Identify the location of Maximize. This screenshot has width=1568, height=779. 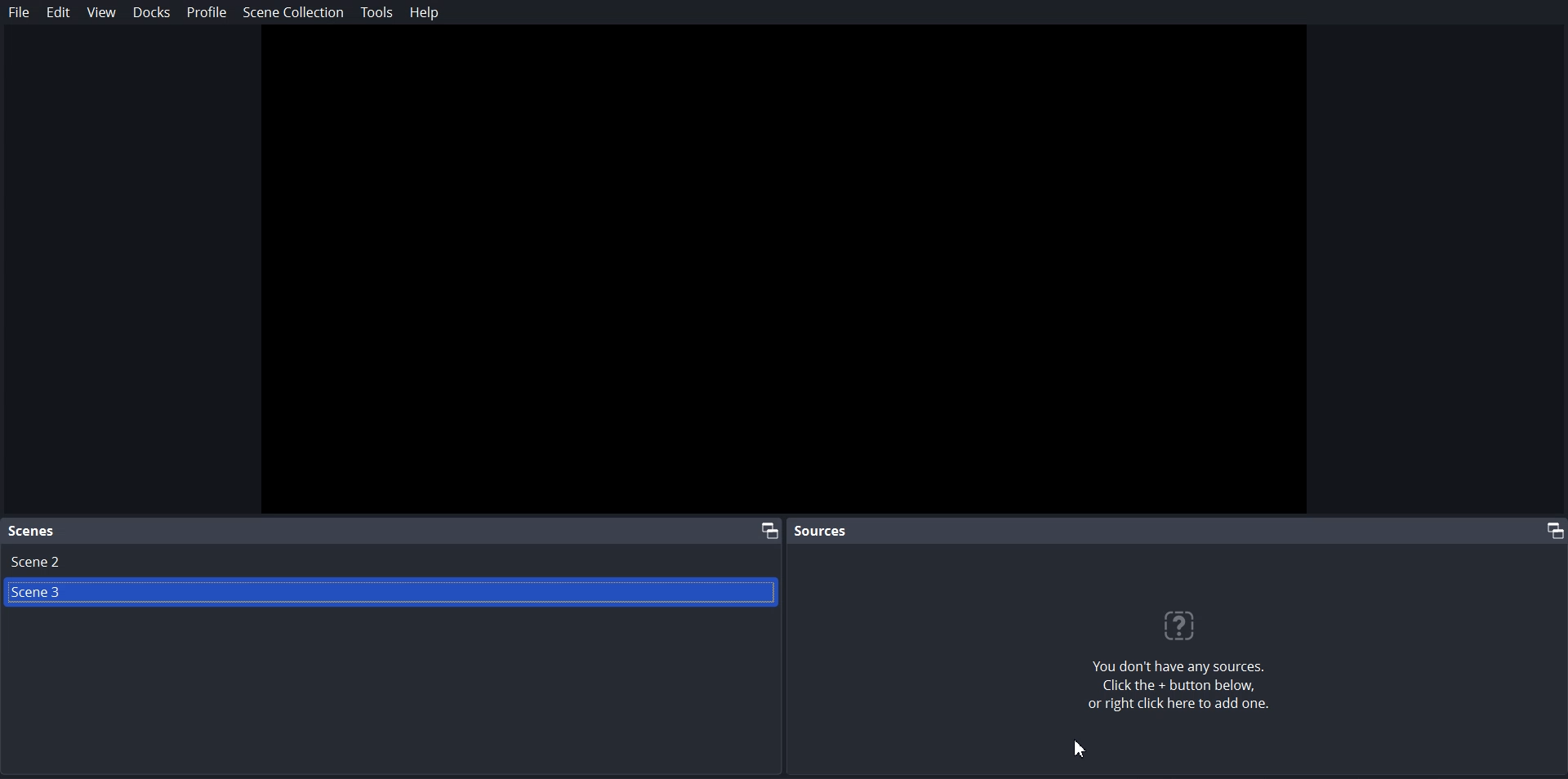
(768, 529).